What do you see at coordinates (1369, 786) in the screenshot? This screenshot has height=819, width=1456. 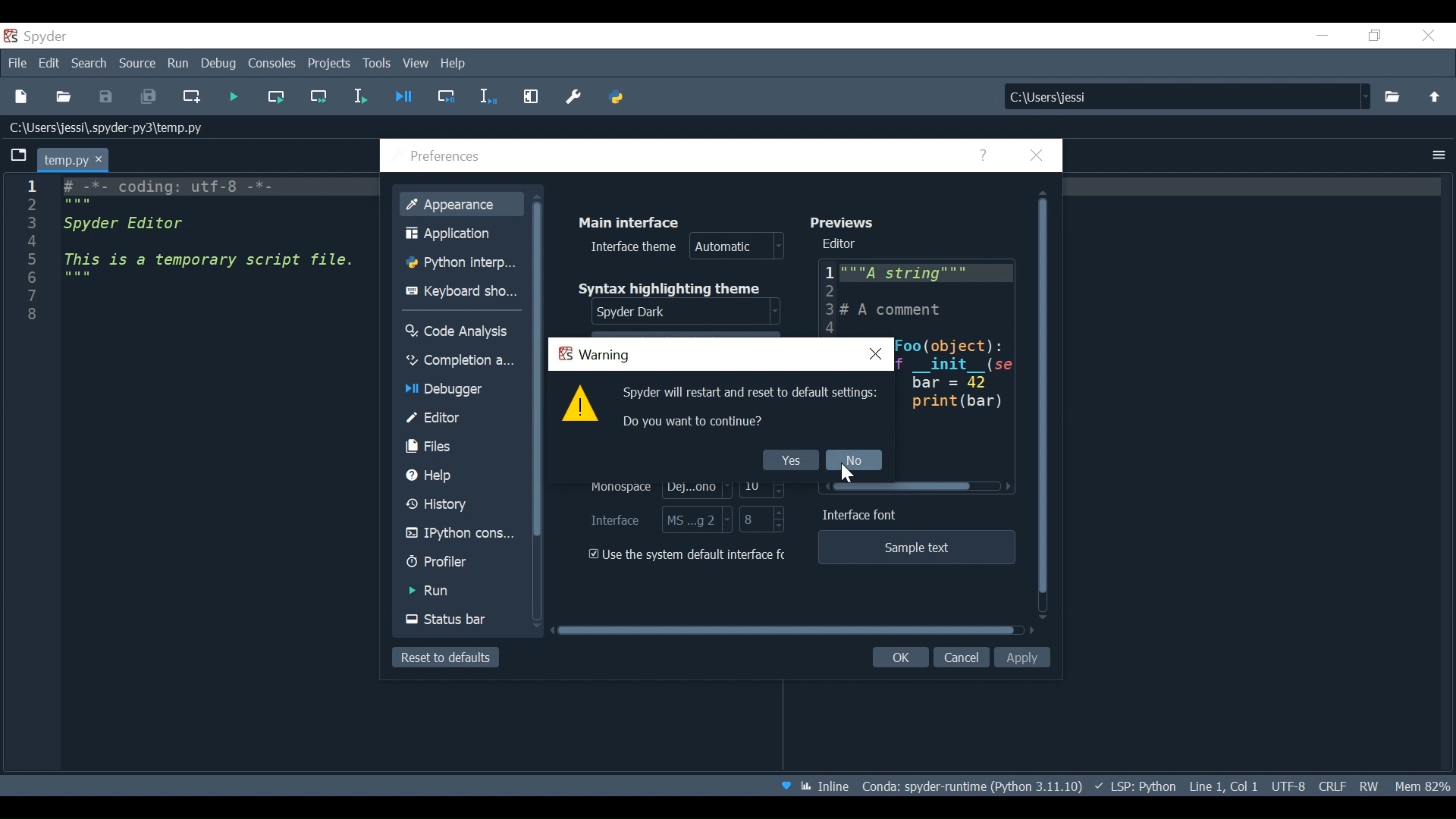 I see `File Permissions` at bounding box center [1369, 786].